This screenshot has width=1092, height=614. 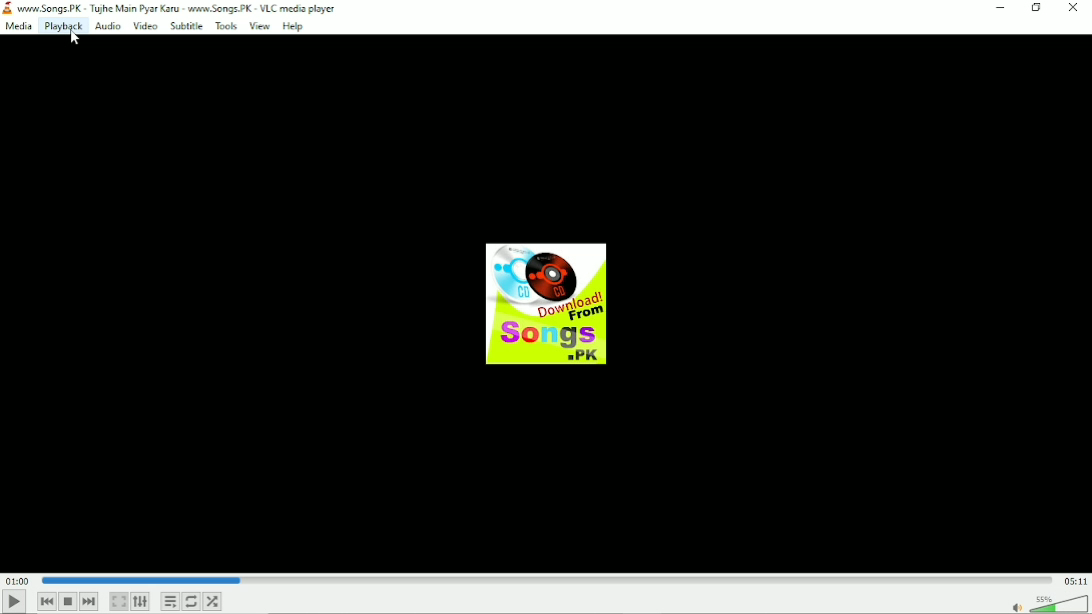 What do you see at coordinates (192, 602) in the screenshot?
I see `Toggle between loop all, loop one and no loop` at bounding box center [192, 602].